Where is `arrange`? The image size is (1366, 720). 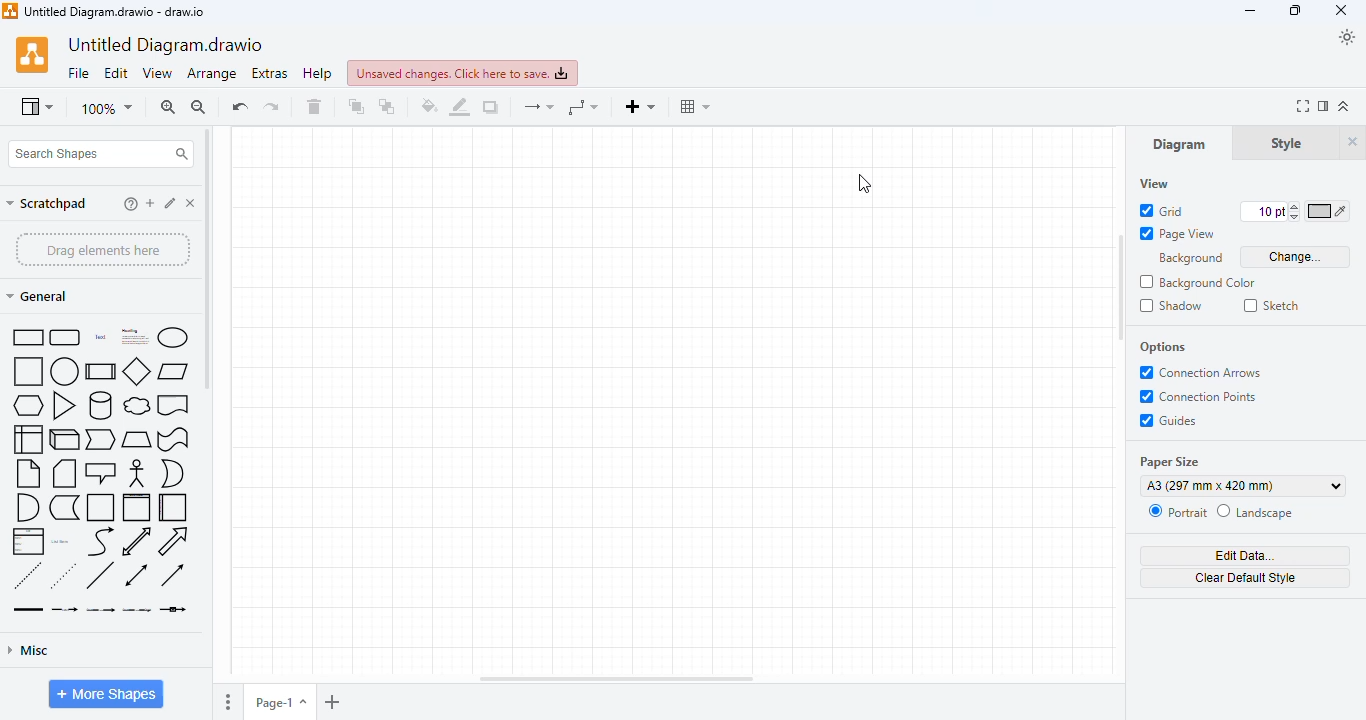
arrange is located at coordinates (212, 74).